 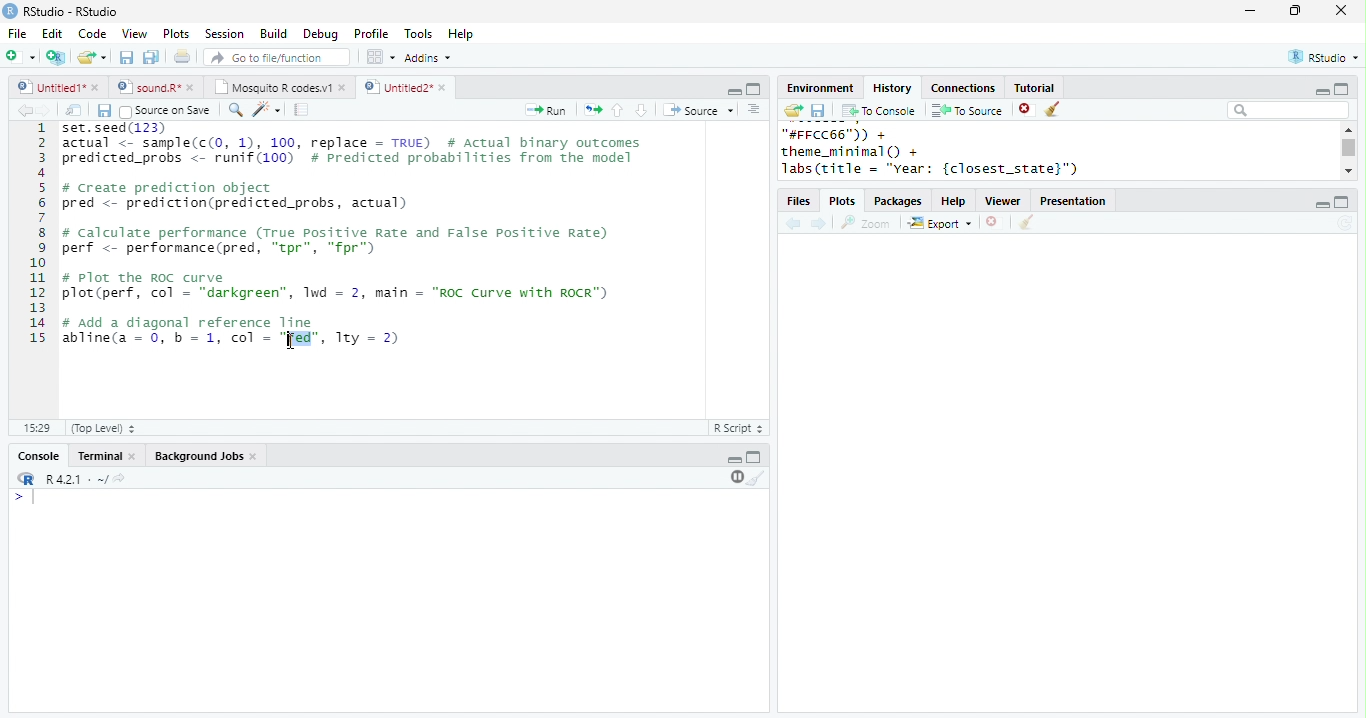 I want to click on Plots, so click(x=844, y=202).